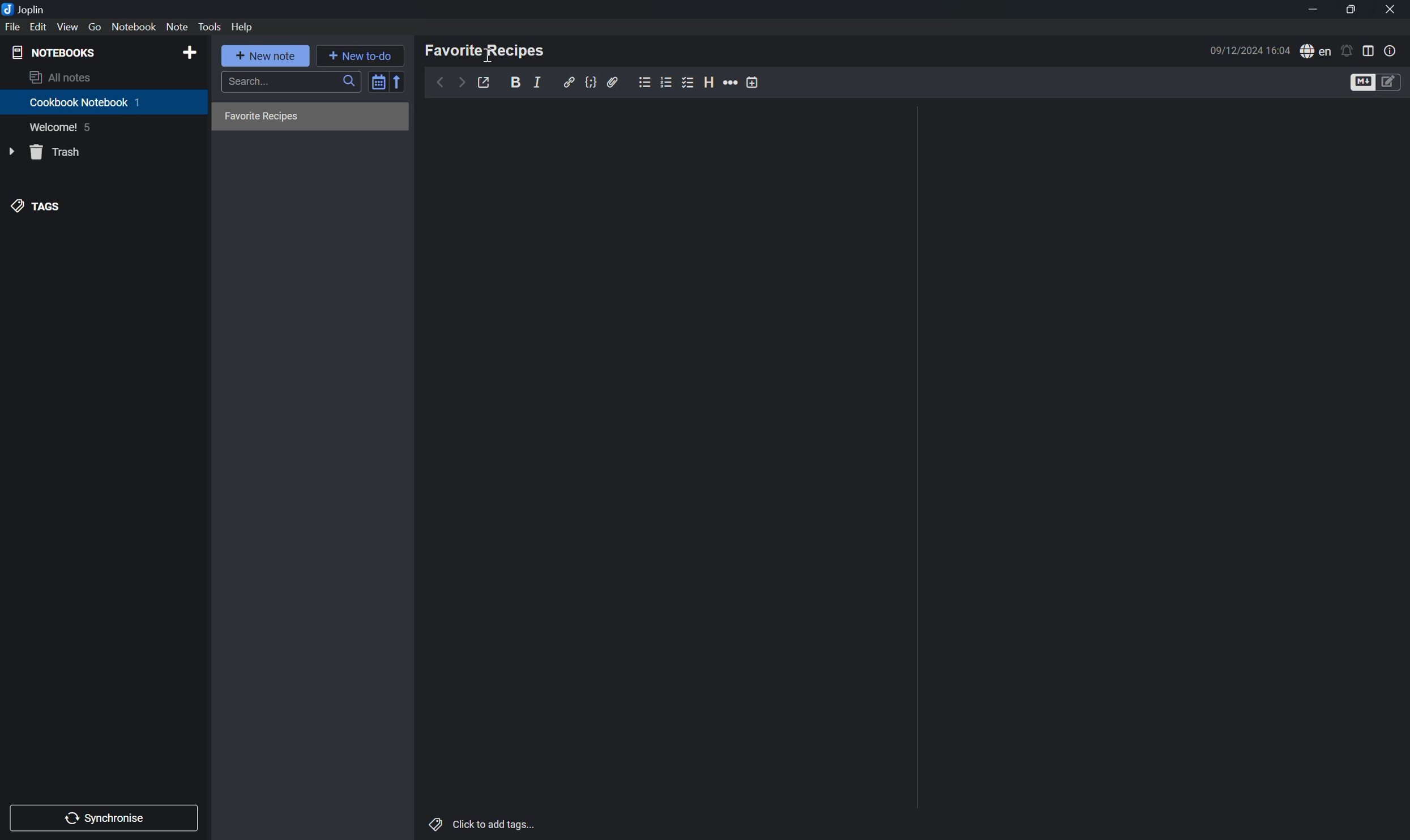  Describe the element at coordinates (518, 80) in the screenshot. I see `Bold` at that location.